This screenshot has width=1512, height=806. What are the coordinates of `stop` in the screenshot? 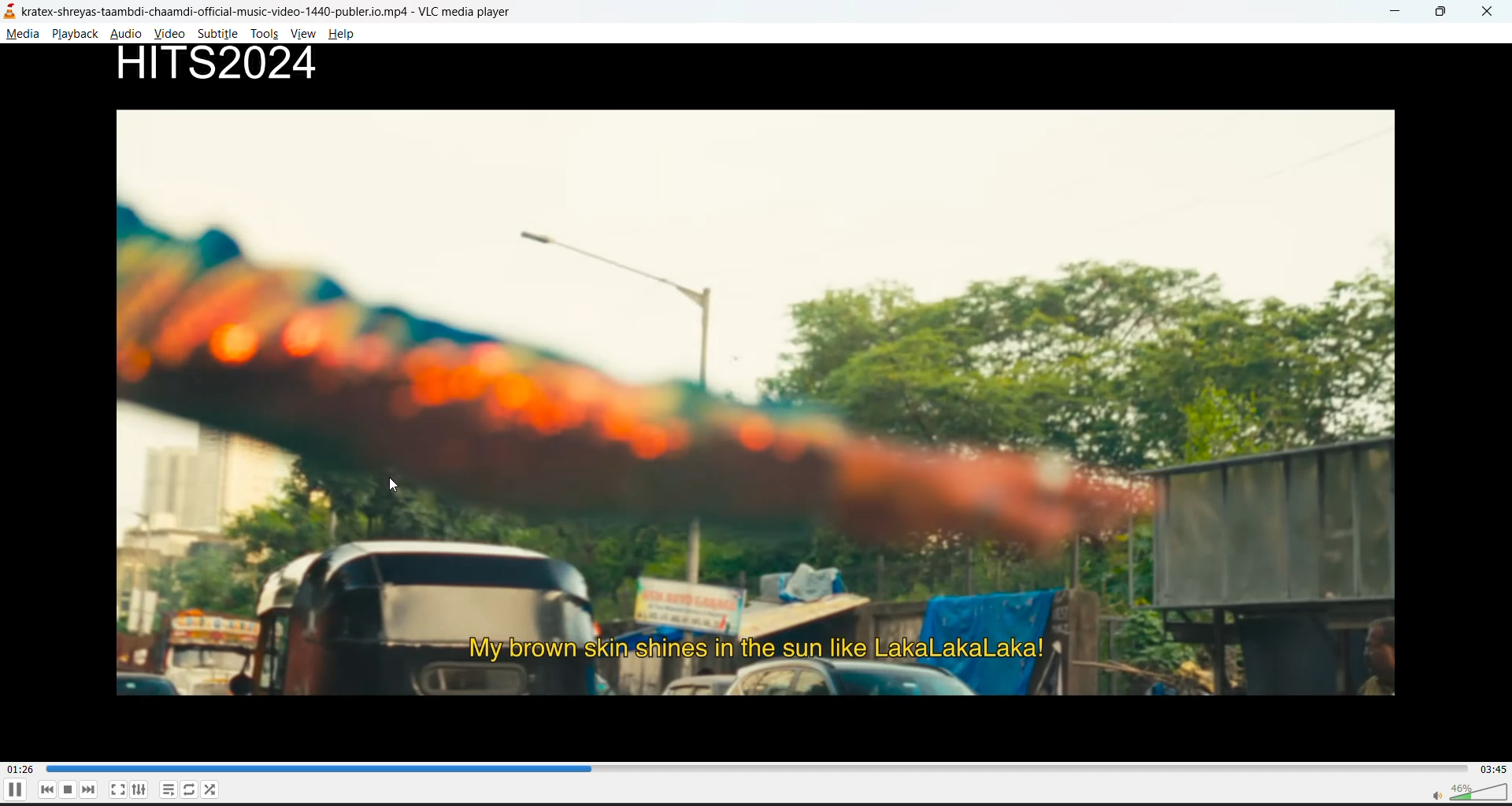 It's located at (72, 789).